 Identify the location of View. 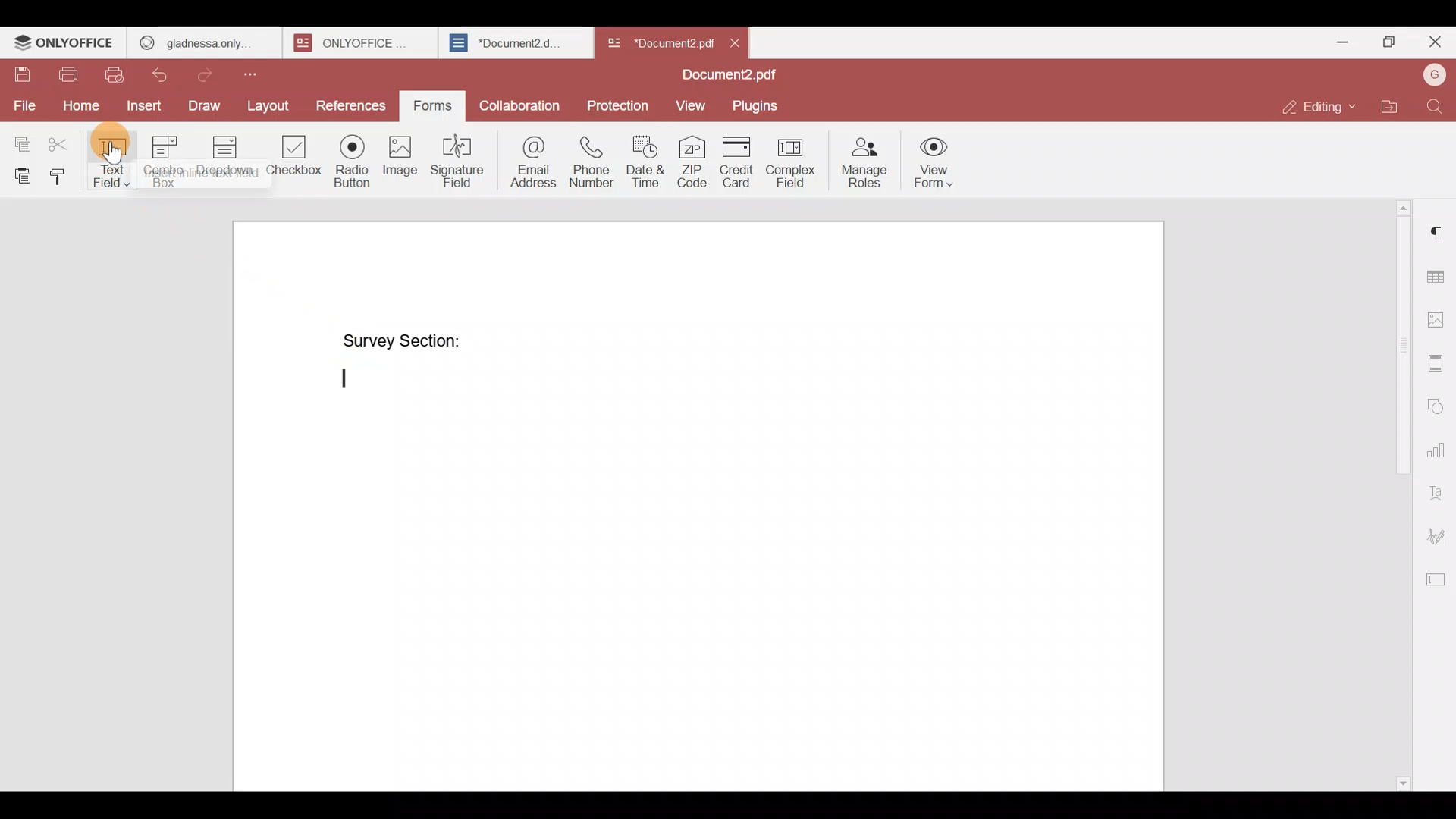
(687, 104).